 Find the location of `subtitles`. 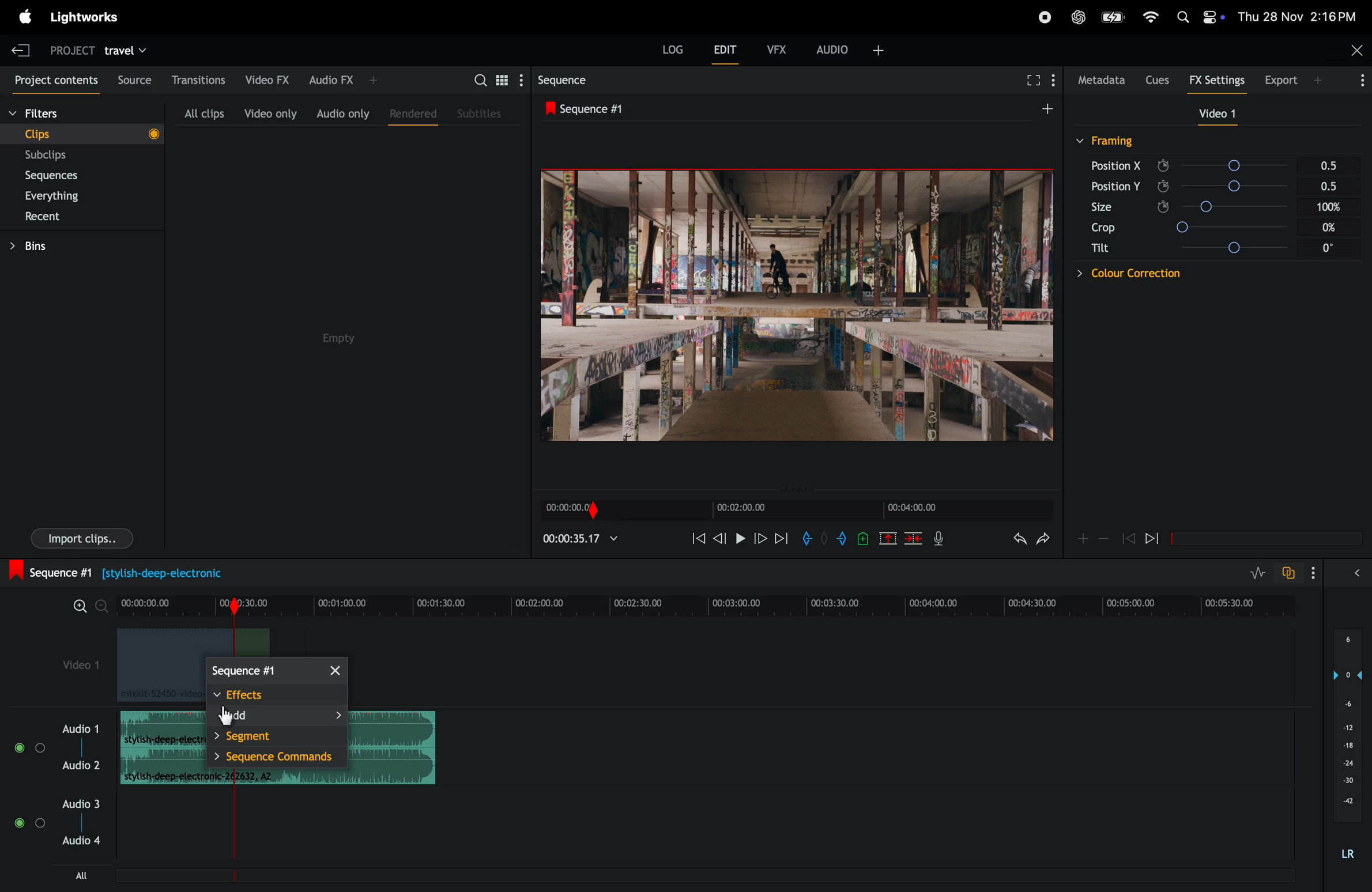

subtitles is located at coordinates (481, 112).